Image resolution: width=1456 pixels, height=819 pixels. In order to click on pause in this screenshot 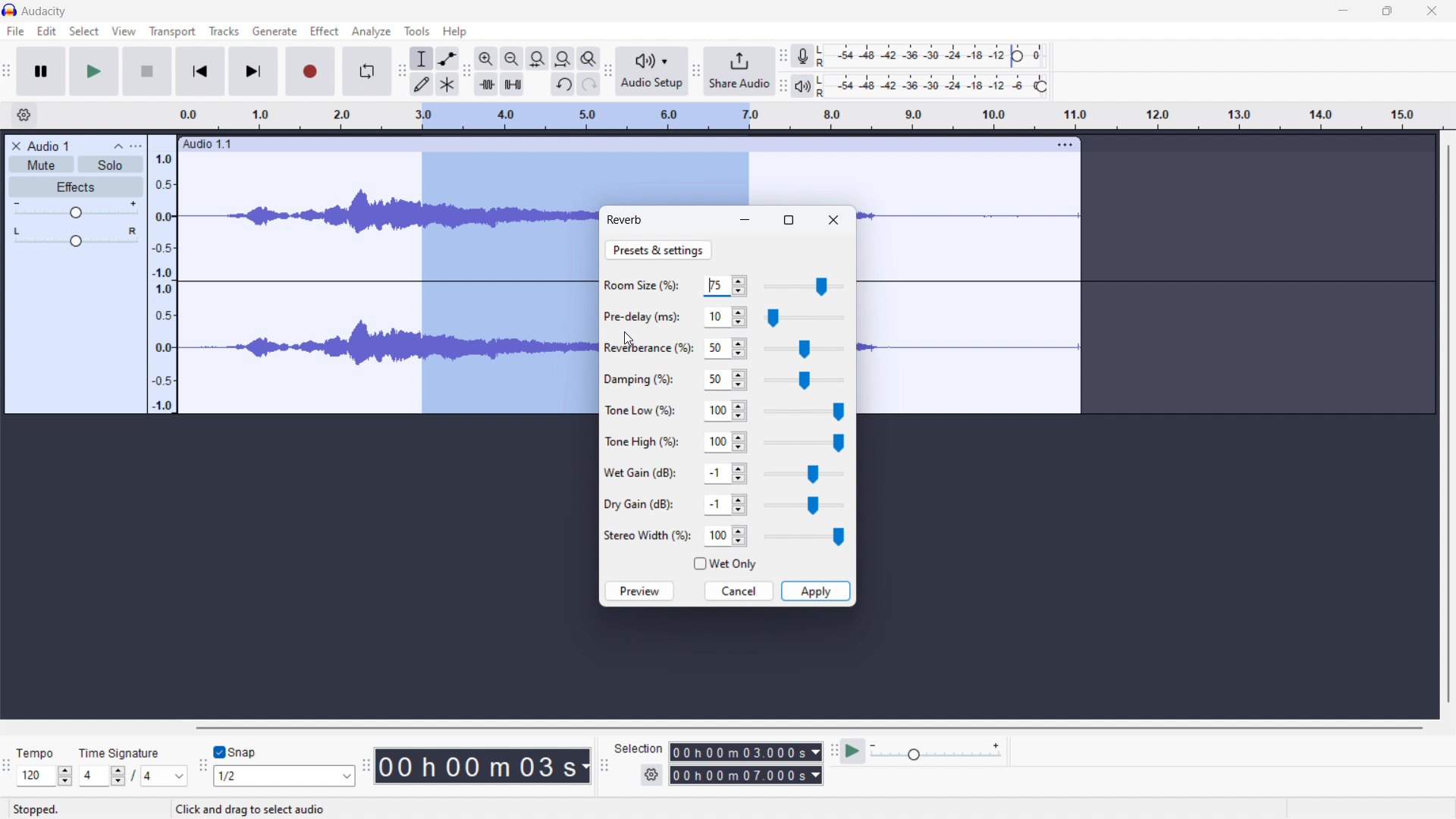, I will do `click(40, 71)`.